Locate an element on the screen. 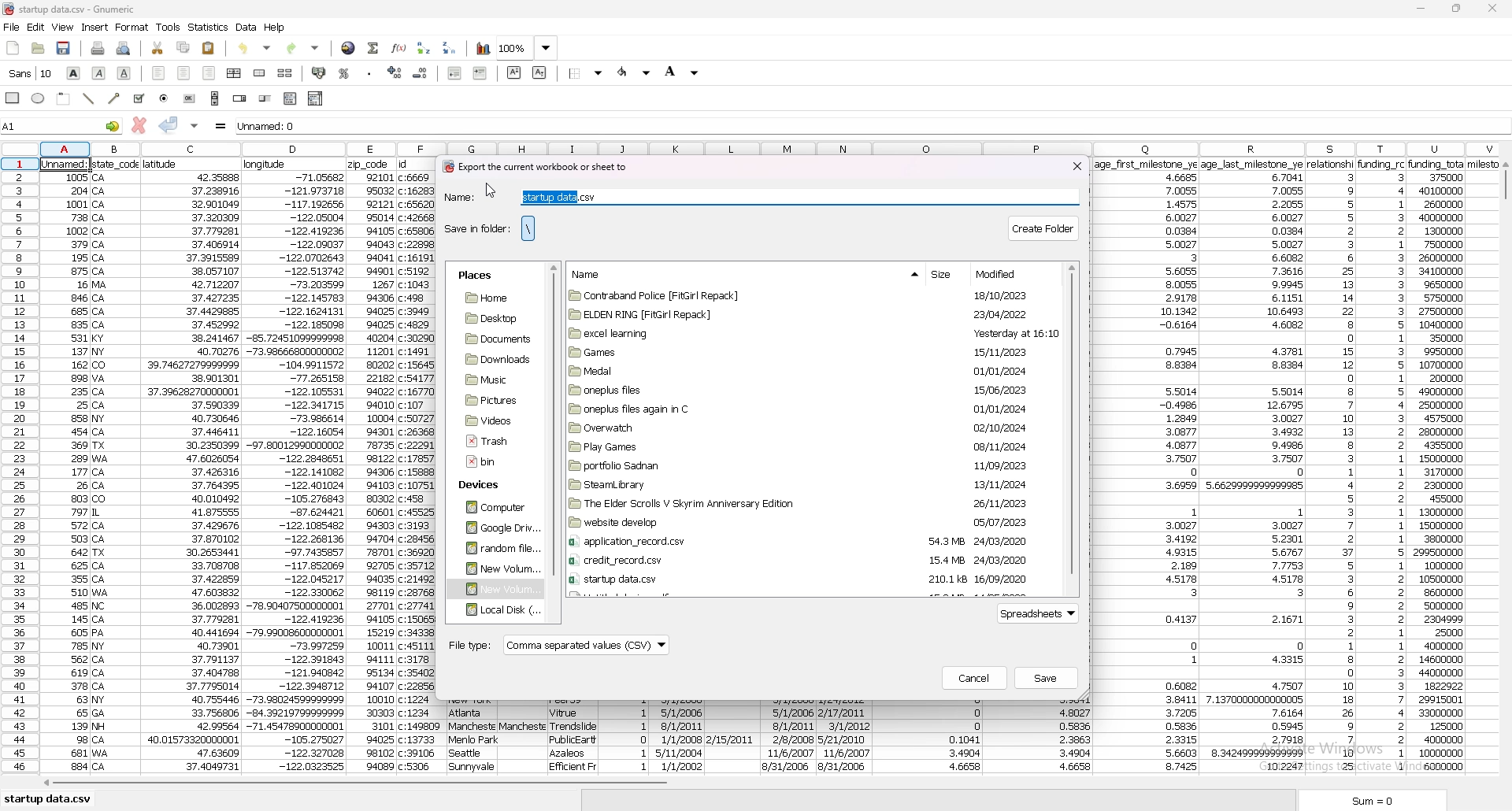 The image size is (1512, 811). folder is located at coordinates (806, 503).